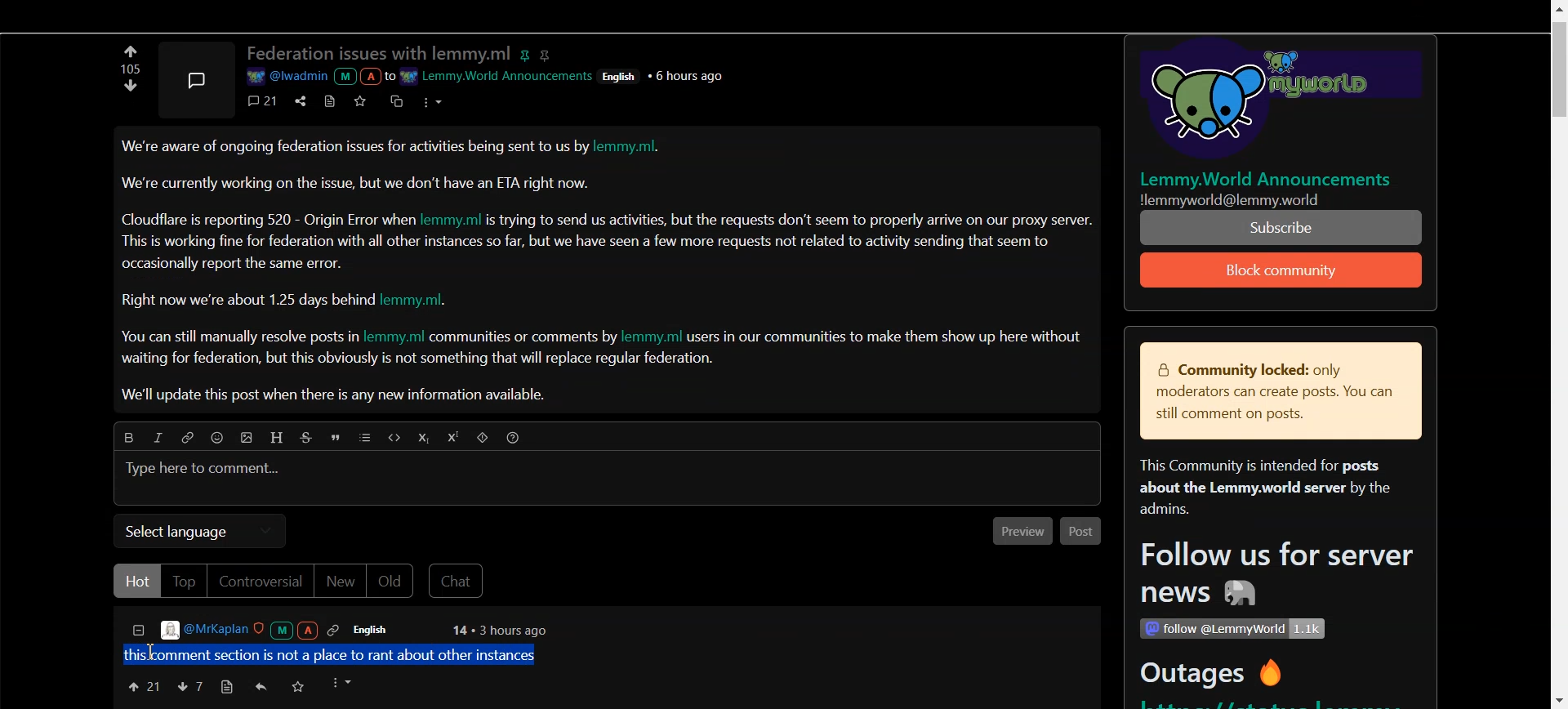 This screenshot has width=1568, height=709. What do you see at coordinates (183, 581) in the screenshot?
I see `Top` at bounding box center [183, 581].